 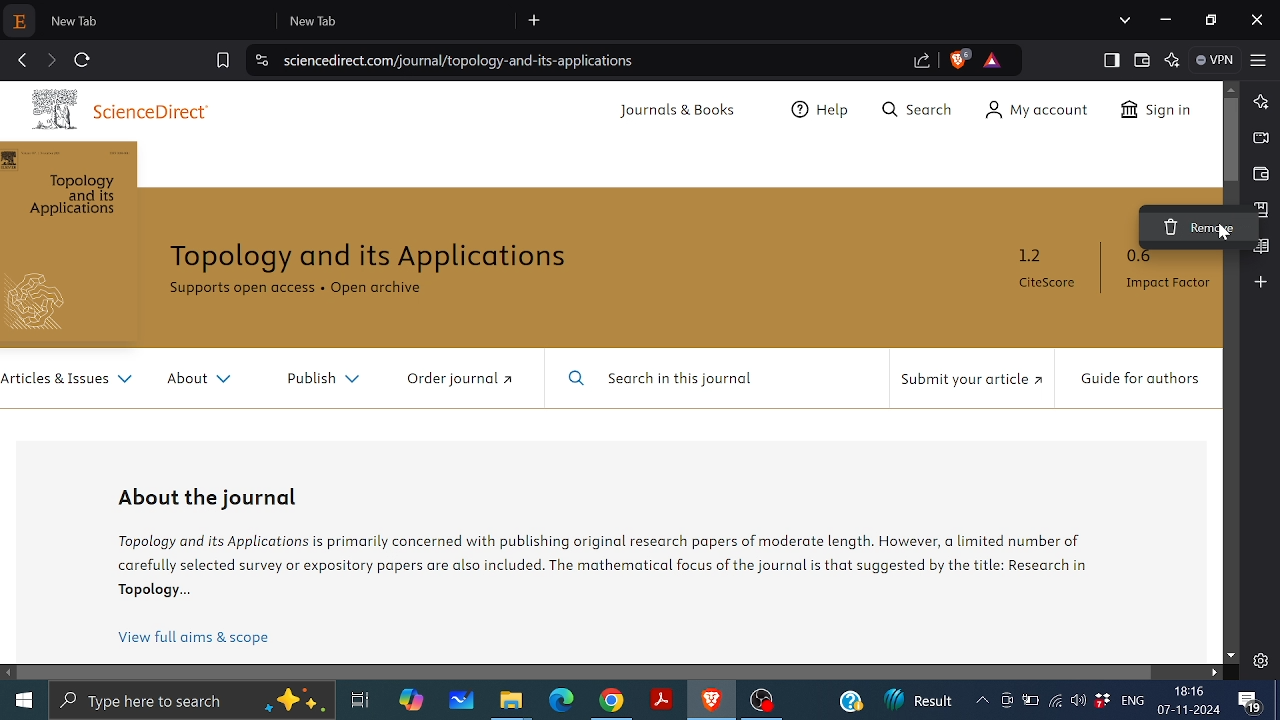 I want to click on Settings, so click(x=1260, y=661).